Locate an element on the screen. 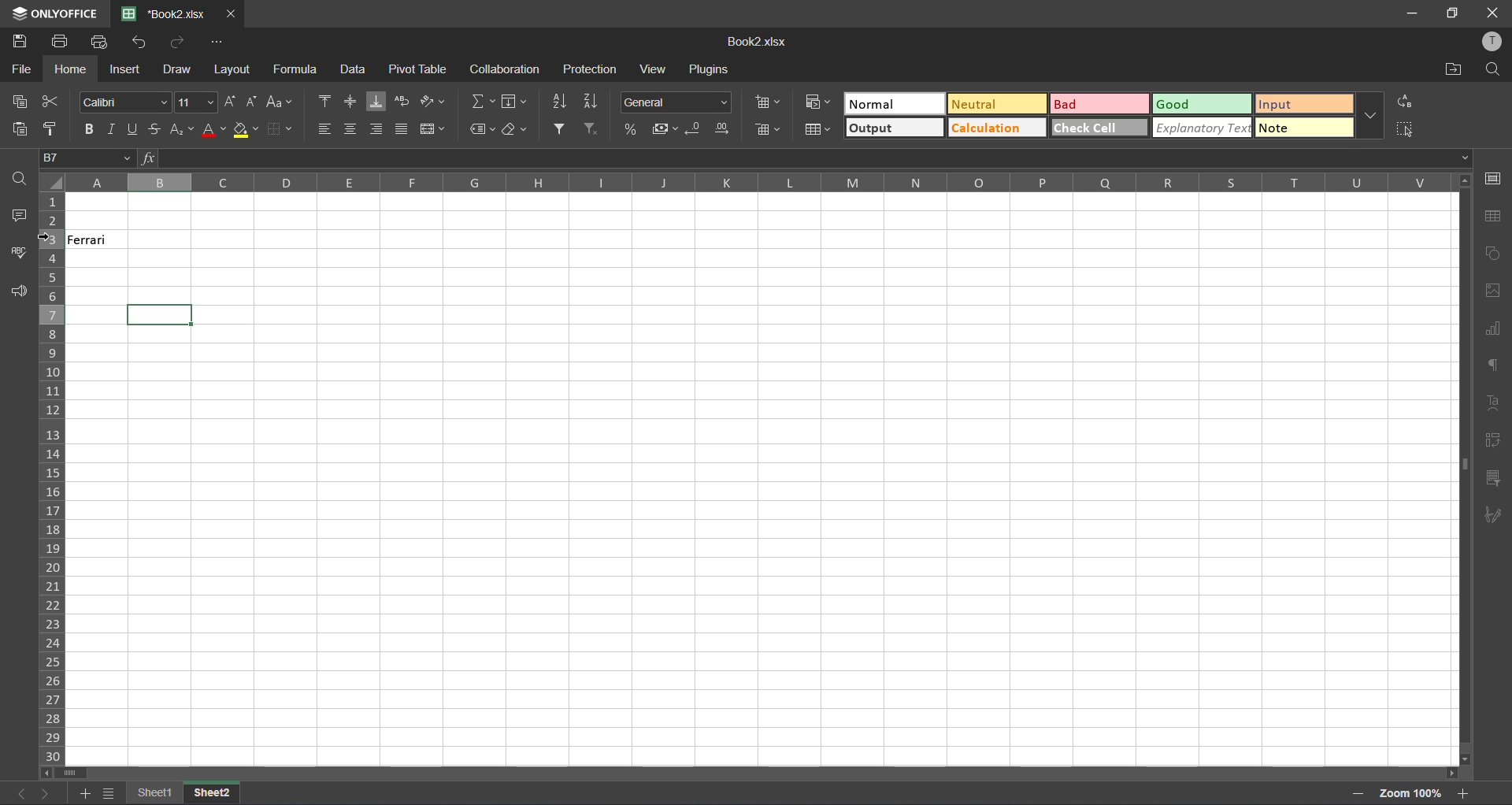 The image size is (1512, 805). copy is located at coordinates (17, 102).